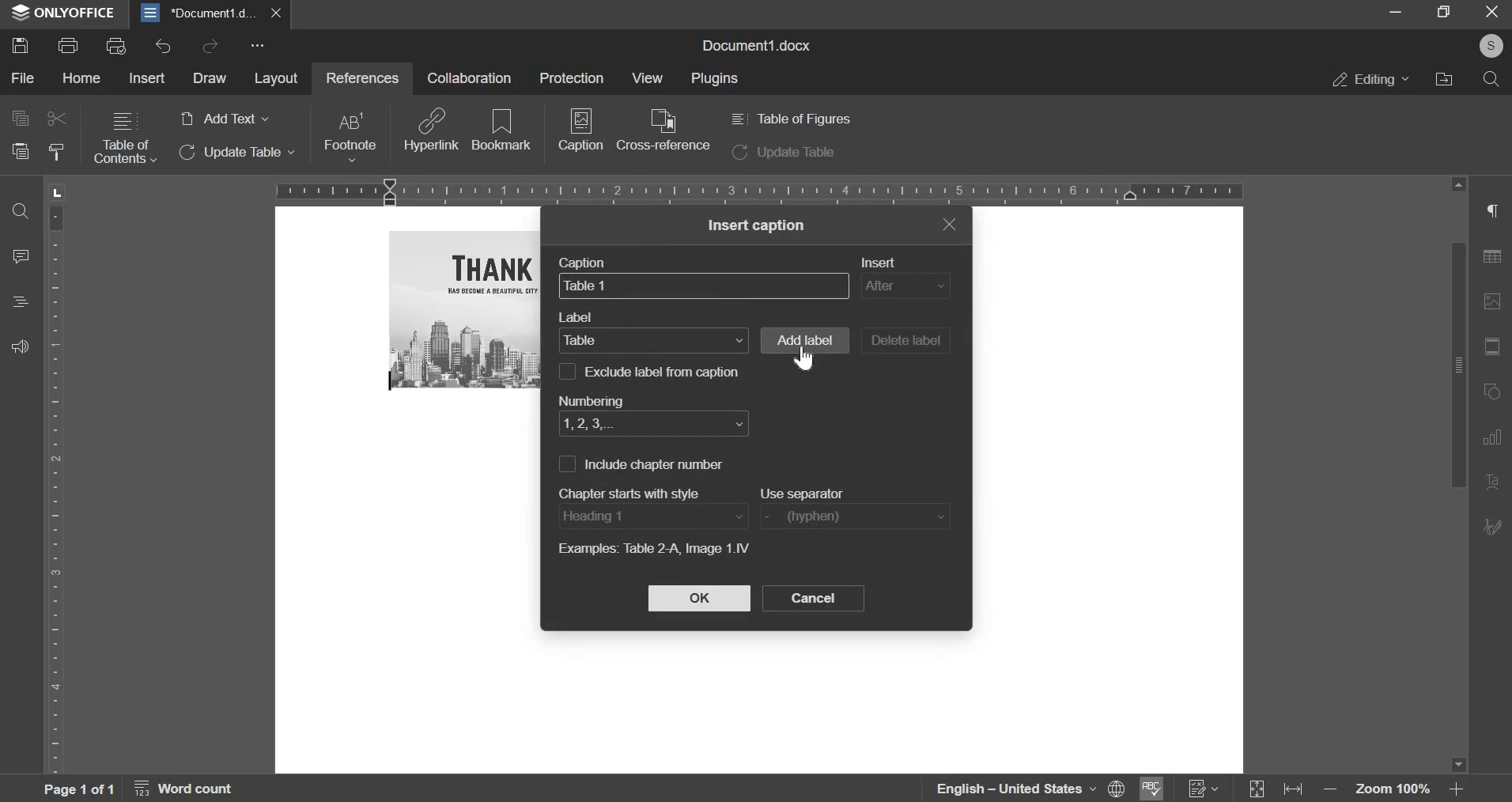  I want to click on Expand, so click(1258, 790).